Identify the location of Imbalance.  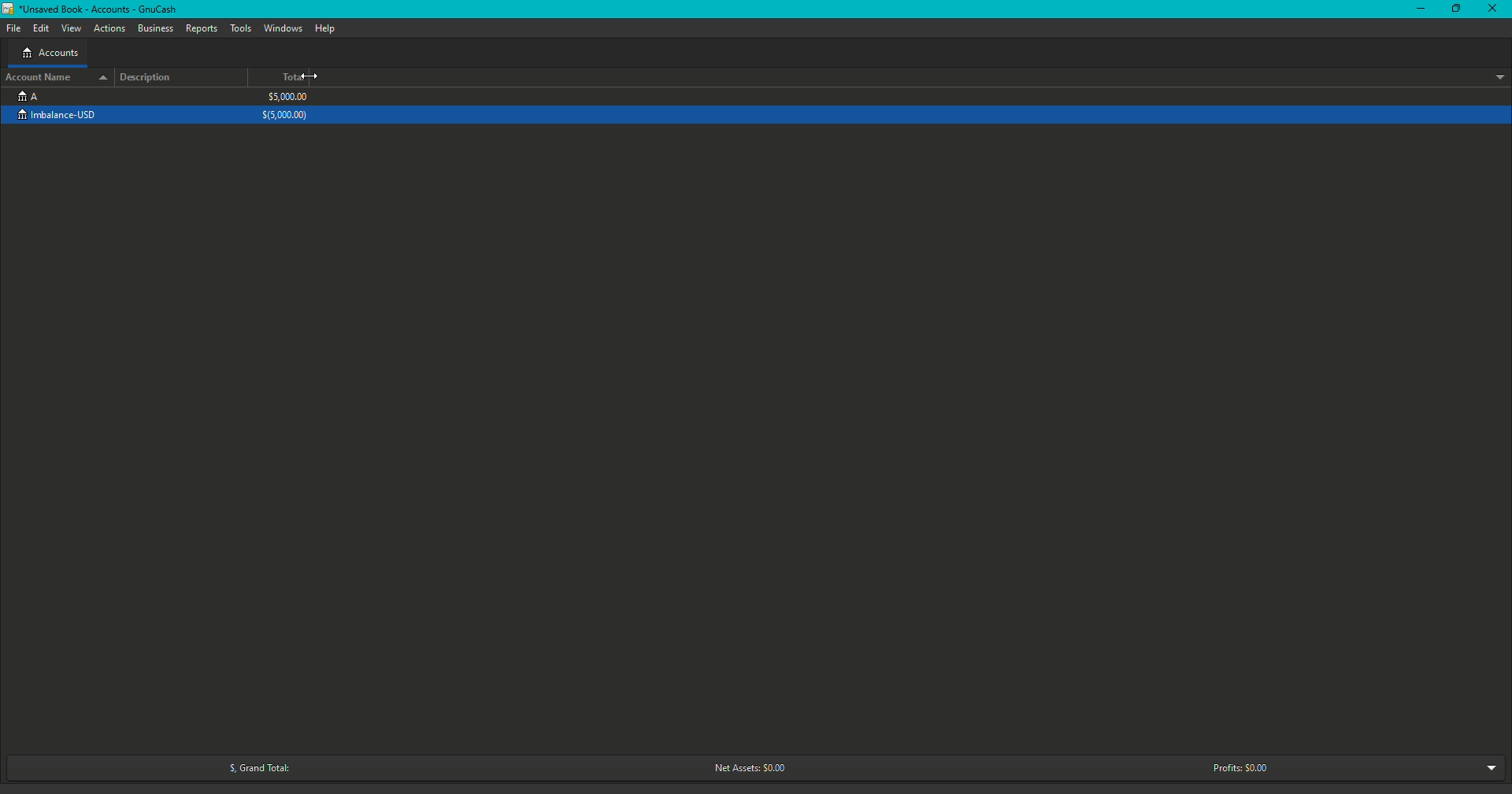
(65, 116).